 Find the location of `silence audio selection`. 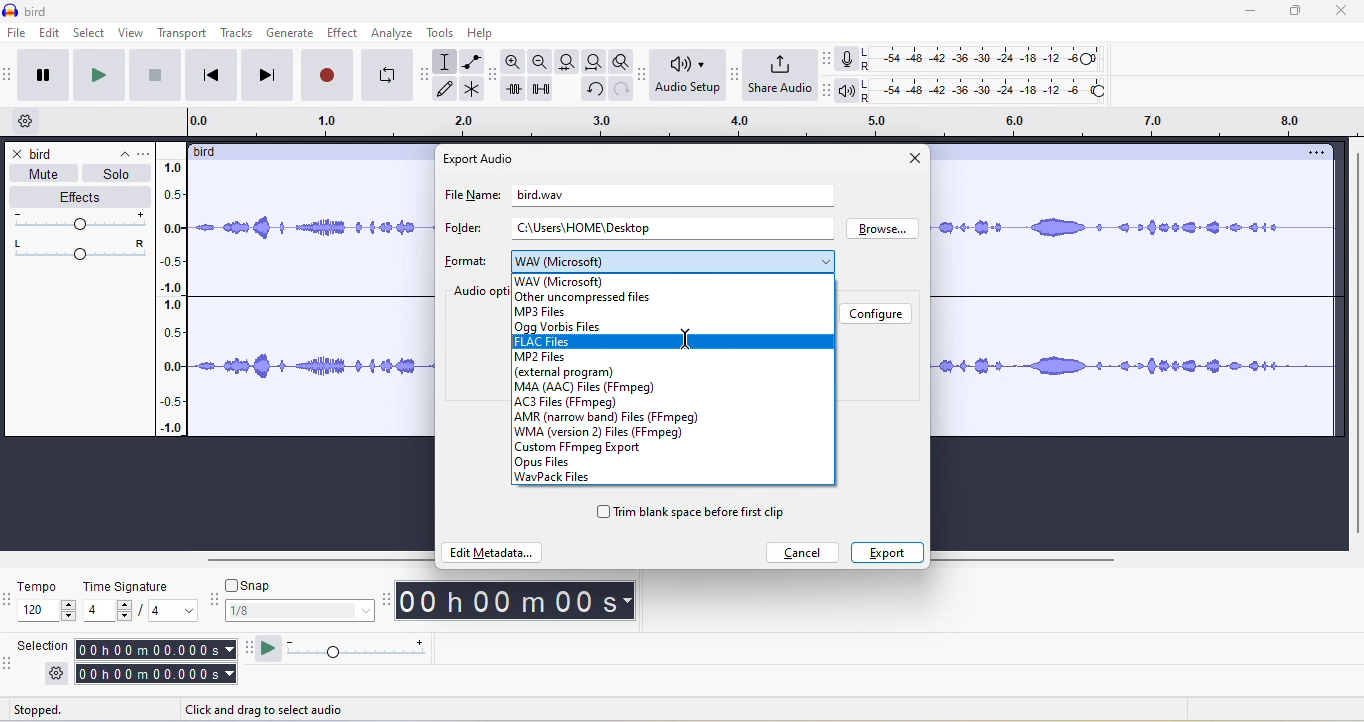

silence audio selection is located at coordinates (547, 93).